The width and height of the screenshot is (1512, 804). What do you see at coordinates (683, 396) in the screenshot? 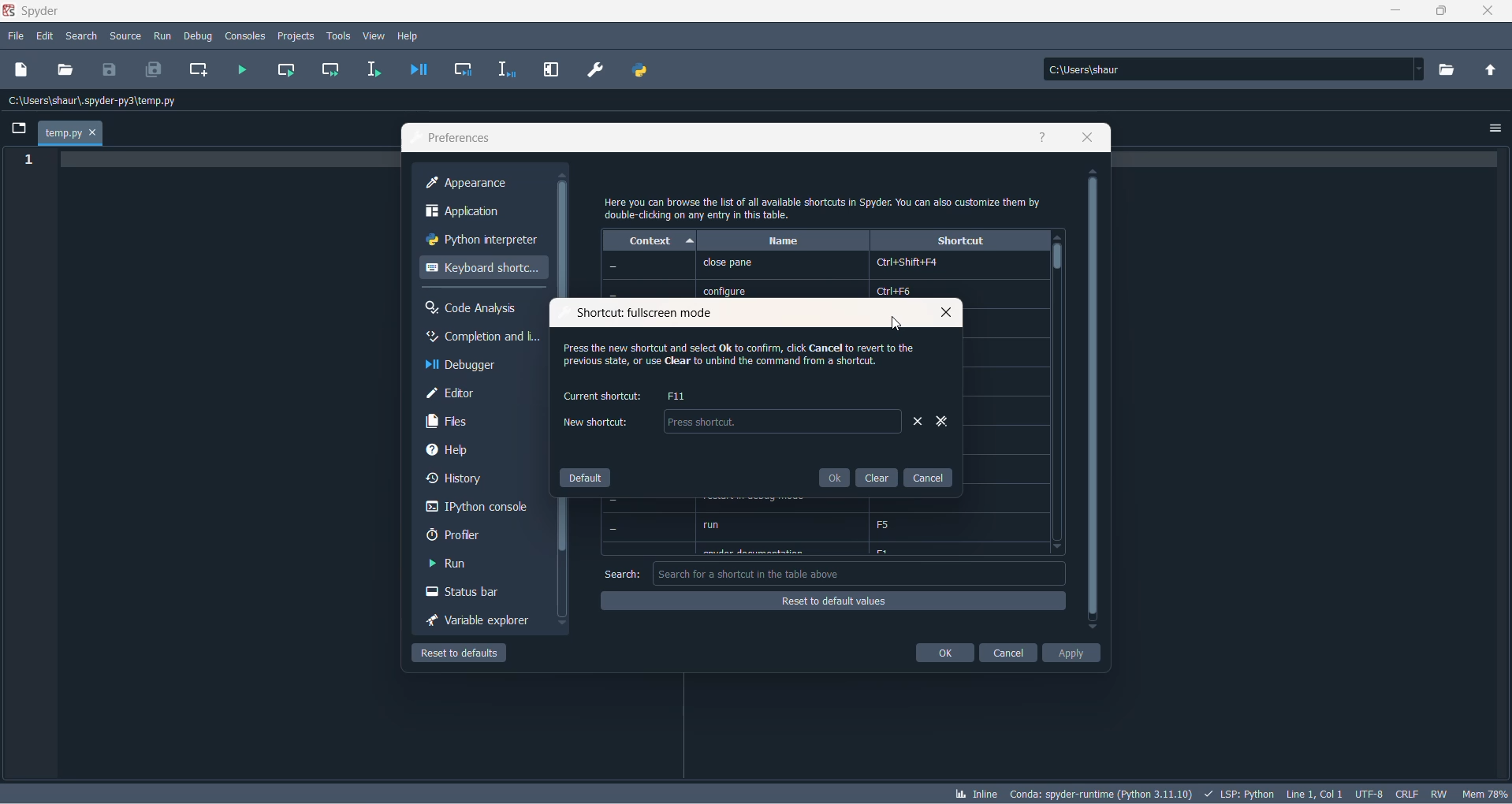
I see `F11` at bounding box center [683, 396].